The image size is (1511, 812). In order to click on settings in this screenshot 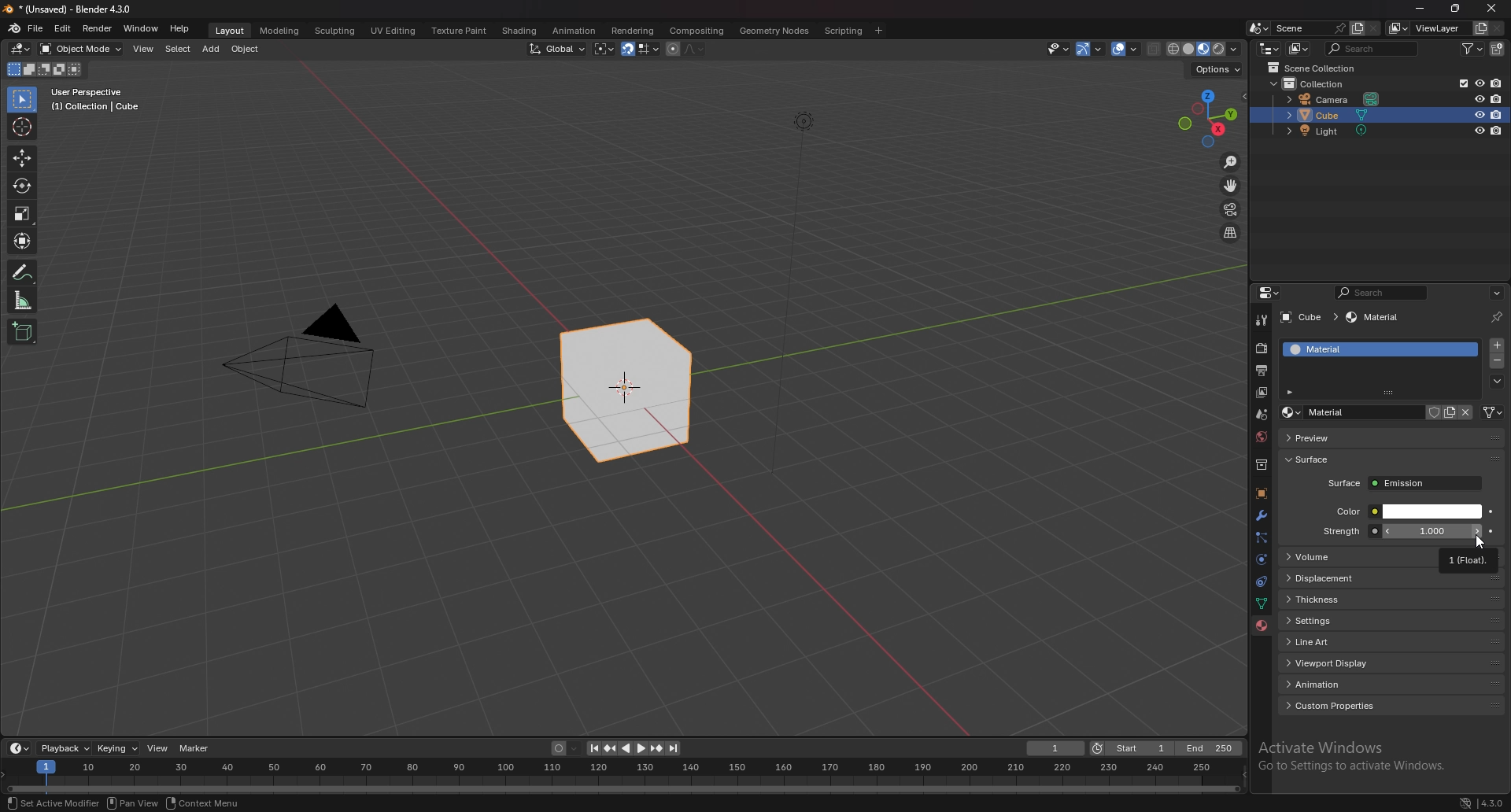, I will do `click(1391, 621)`.